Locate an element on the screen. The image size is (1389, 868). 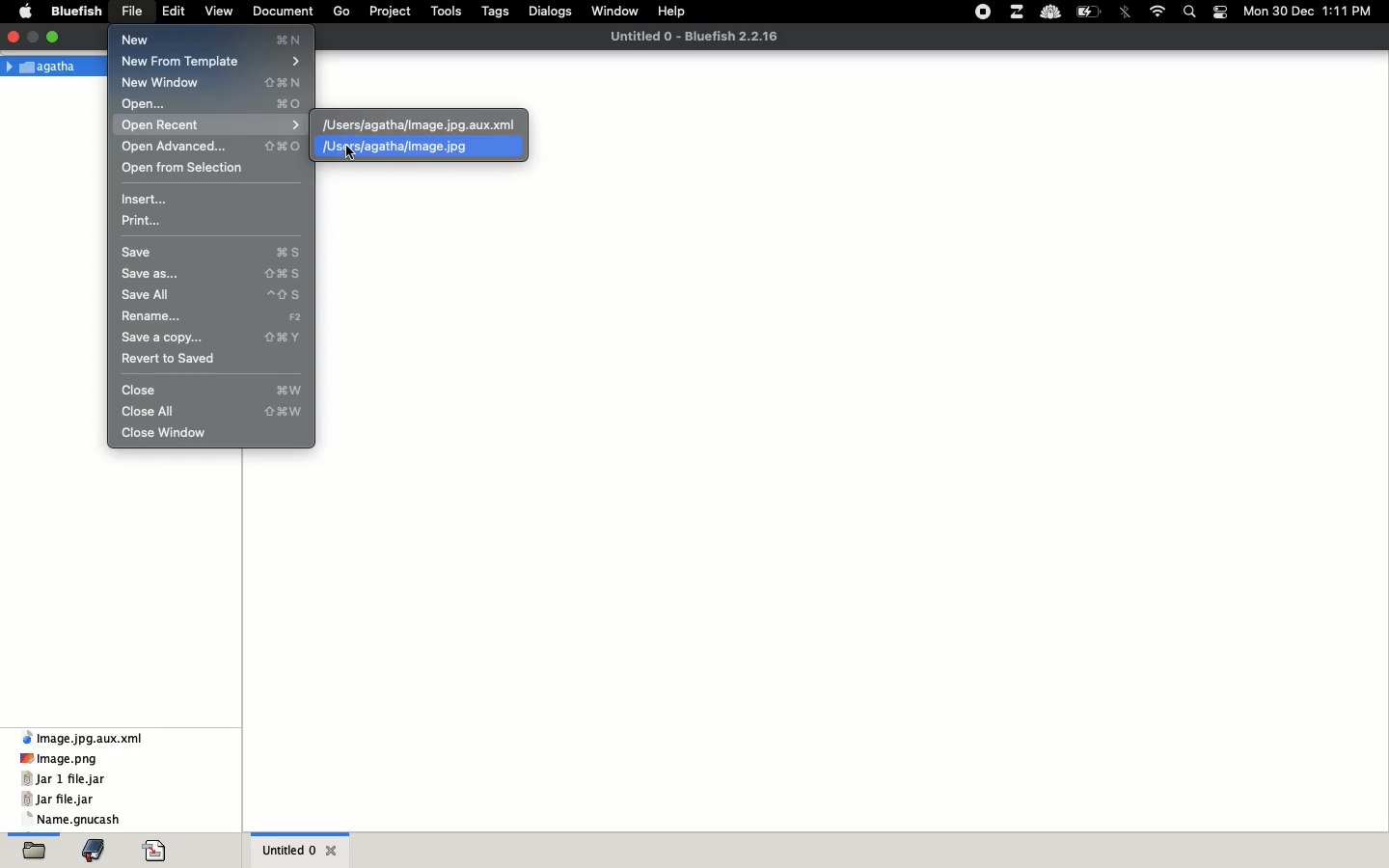
maximize is located at coordinates (56, 36).